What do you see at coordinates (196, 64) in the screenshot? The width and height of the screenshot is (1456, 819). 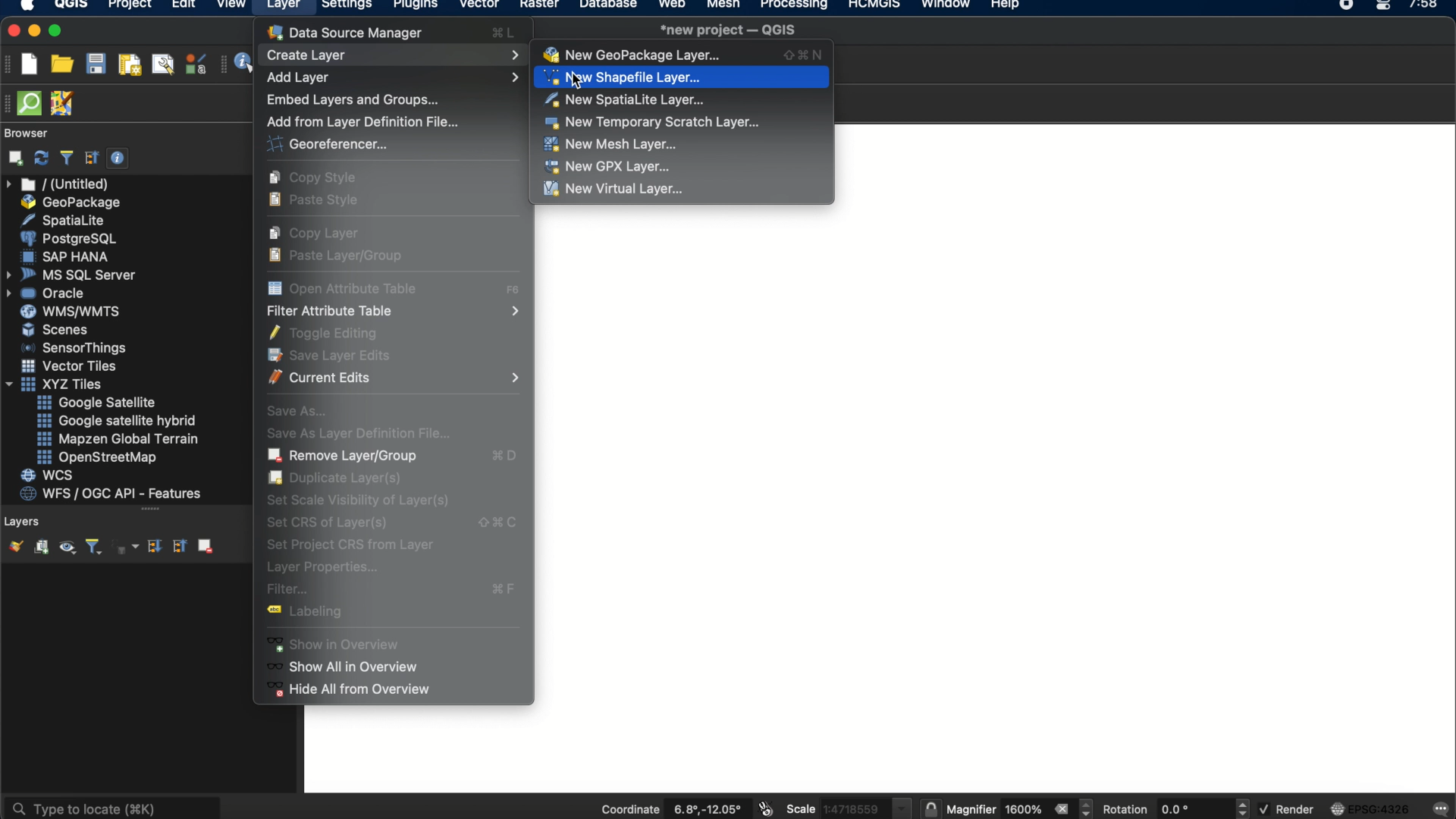 I see `style manager` at bounding box center [196, 64].